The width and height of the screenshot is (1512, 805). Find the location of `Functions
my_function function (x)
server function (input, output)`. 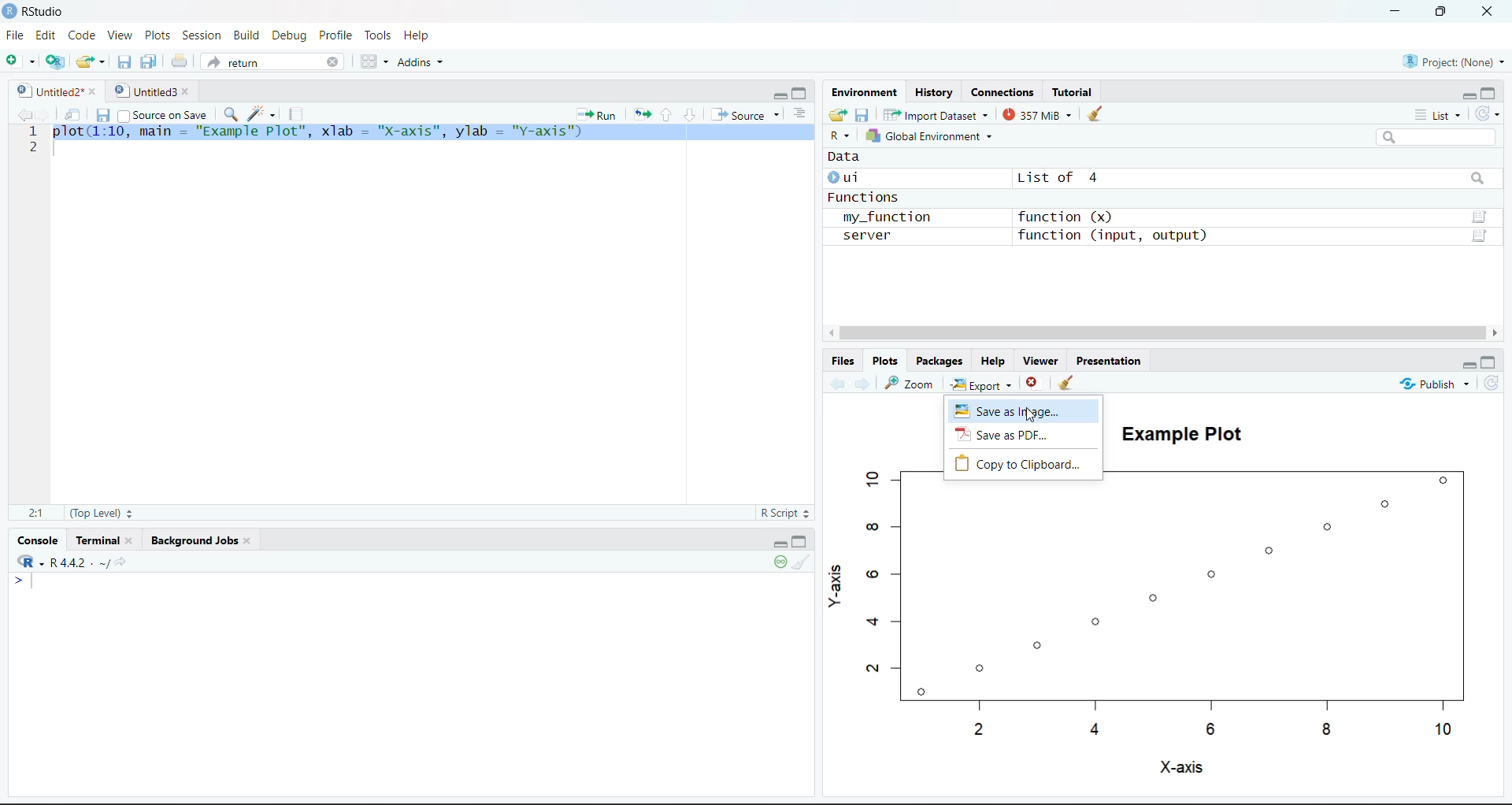

Functions
my_function function (x)
server function (input, output) is located at coordinates (1018, 218).